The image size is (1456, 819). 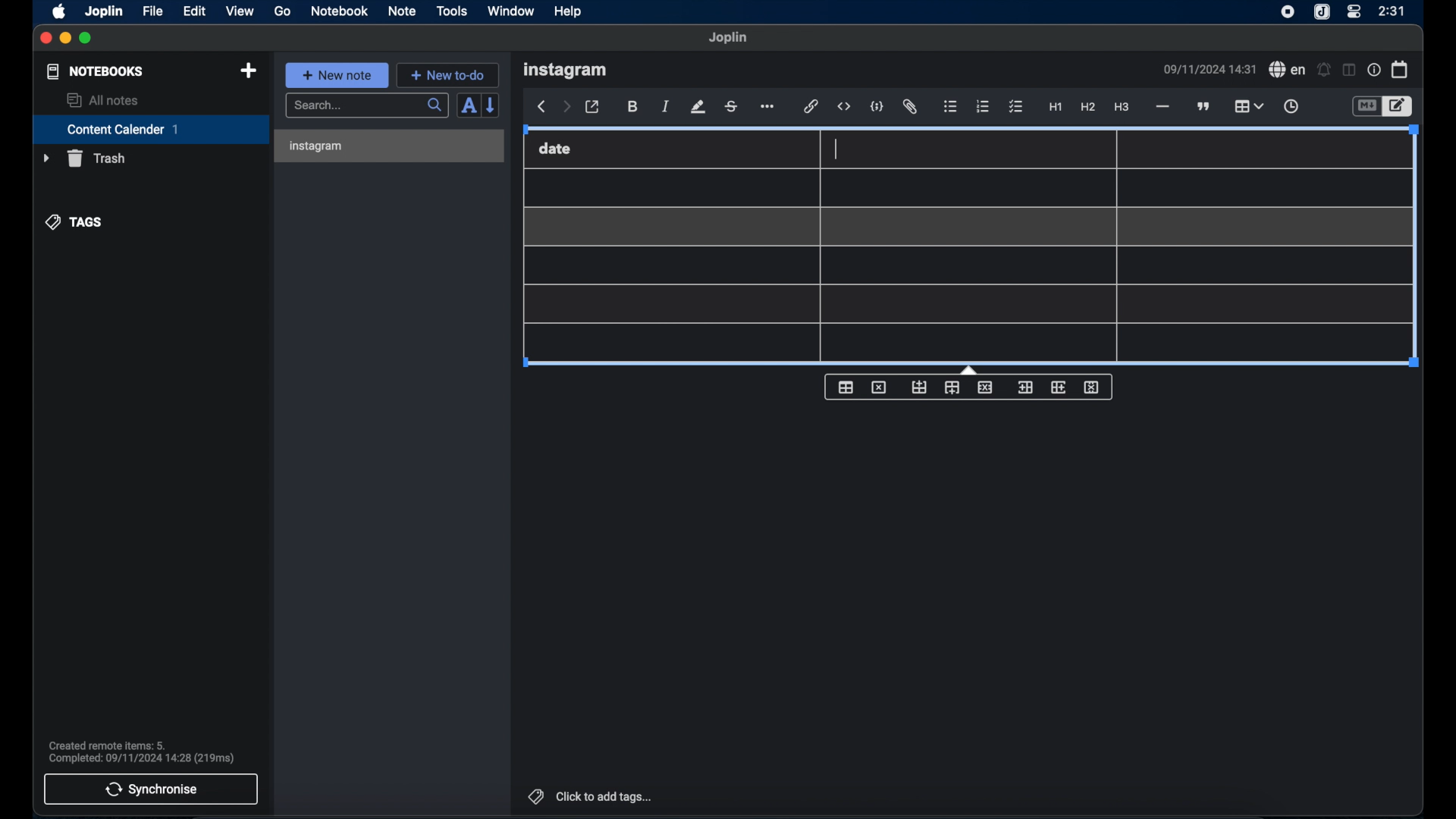 I want to click on edit, so click(x=196, y=12).